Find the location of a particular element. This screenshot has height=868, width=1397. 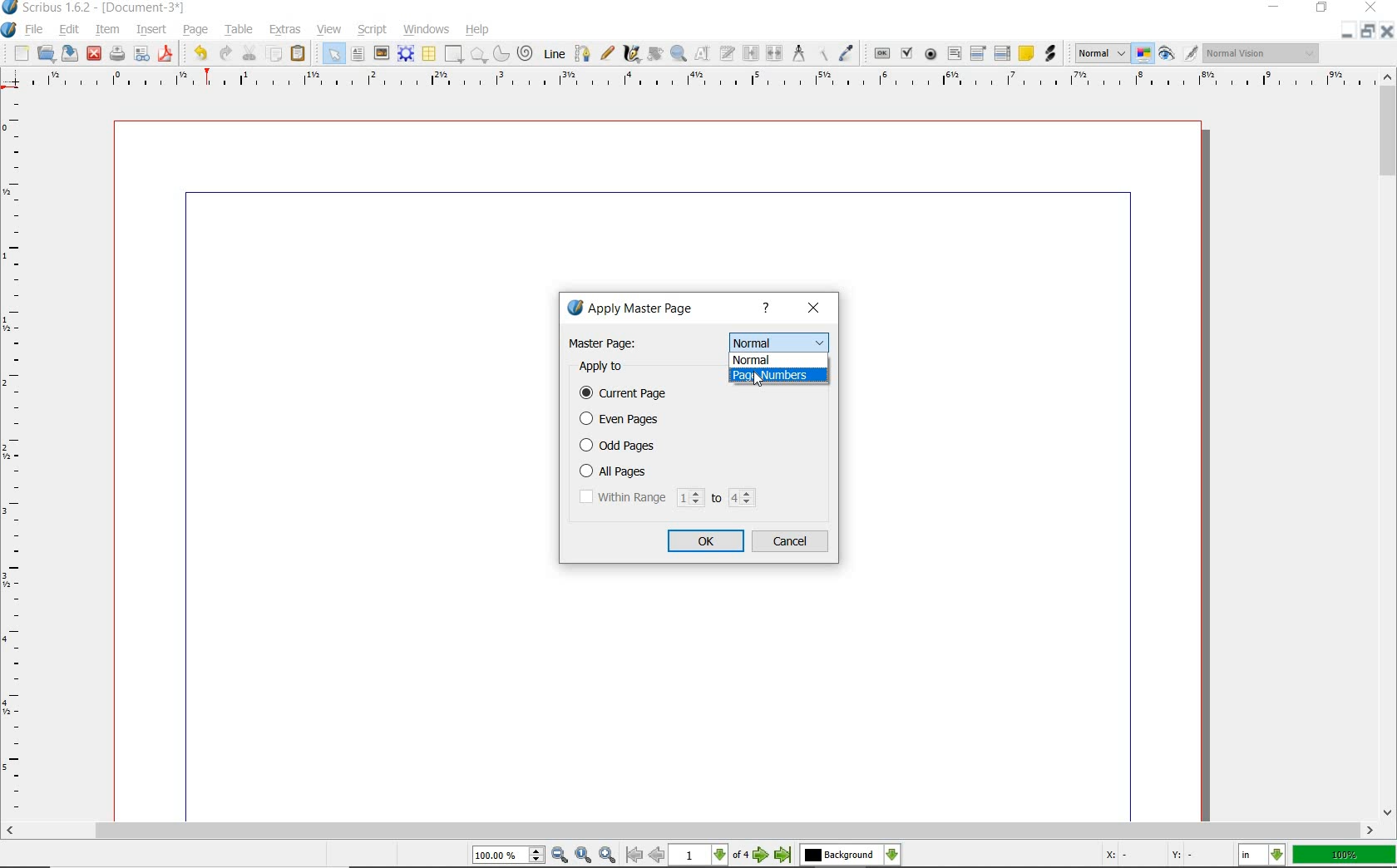

edit text with story editor is located at coordinates (726, 53).